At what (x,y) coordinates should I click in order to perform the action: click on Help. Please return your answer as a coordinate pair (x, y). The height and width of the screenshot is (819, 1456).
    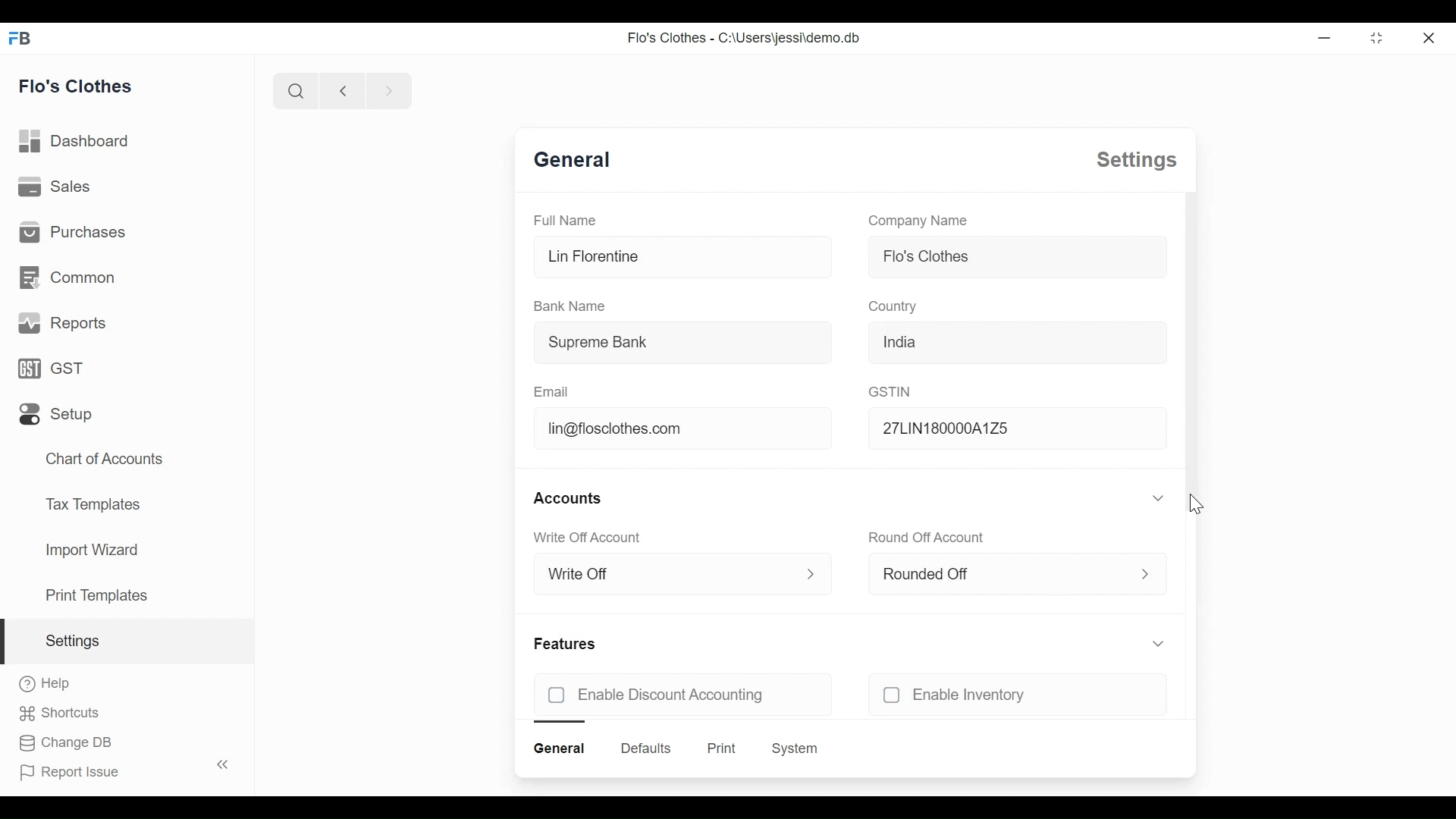
    Looking at the image, I should click on (45, 685).